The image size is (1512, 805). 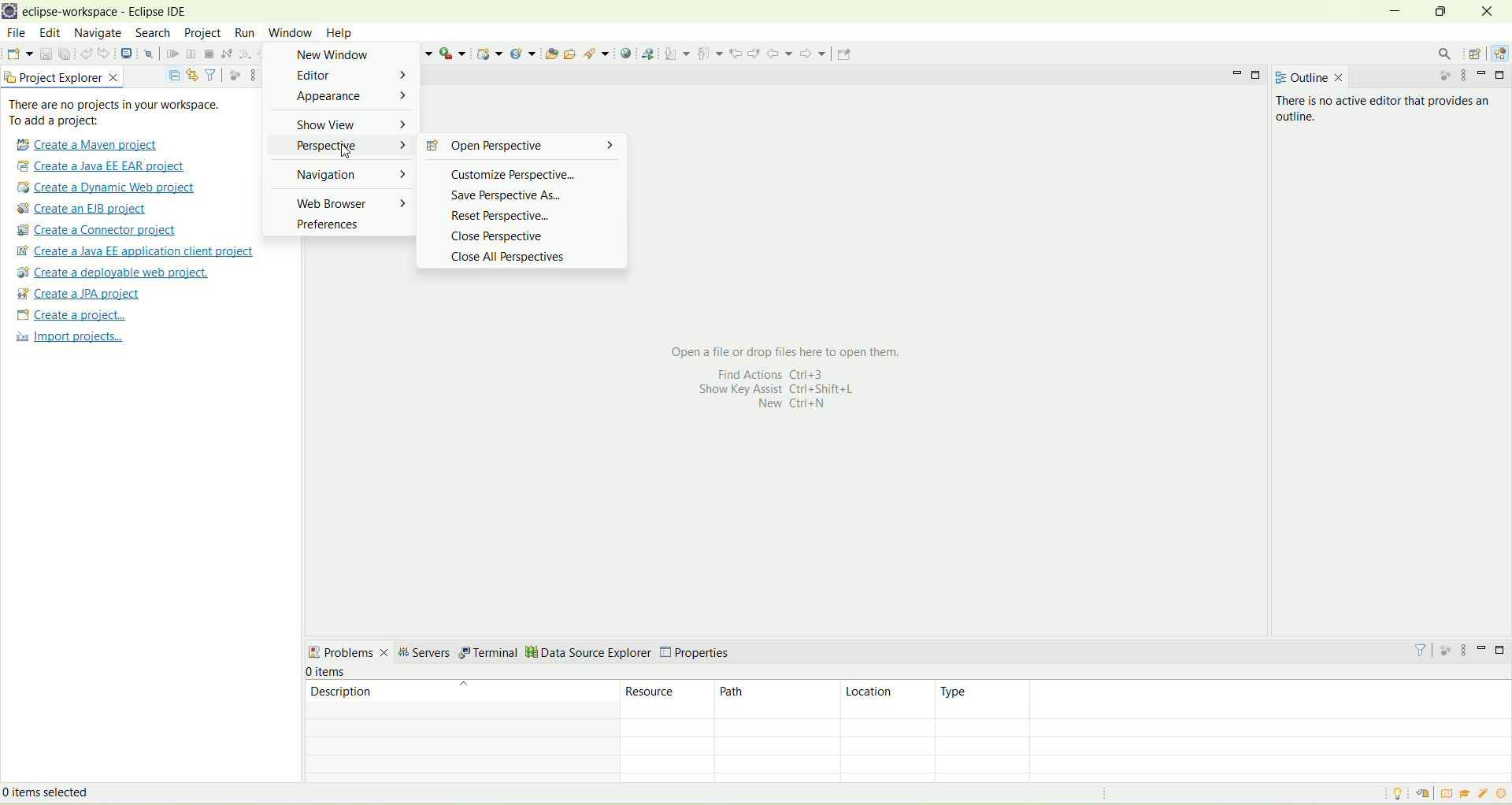 What do you see at coordinates (339, 32) in the screenshot?
I see `help` at bounding box center [339, 32].